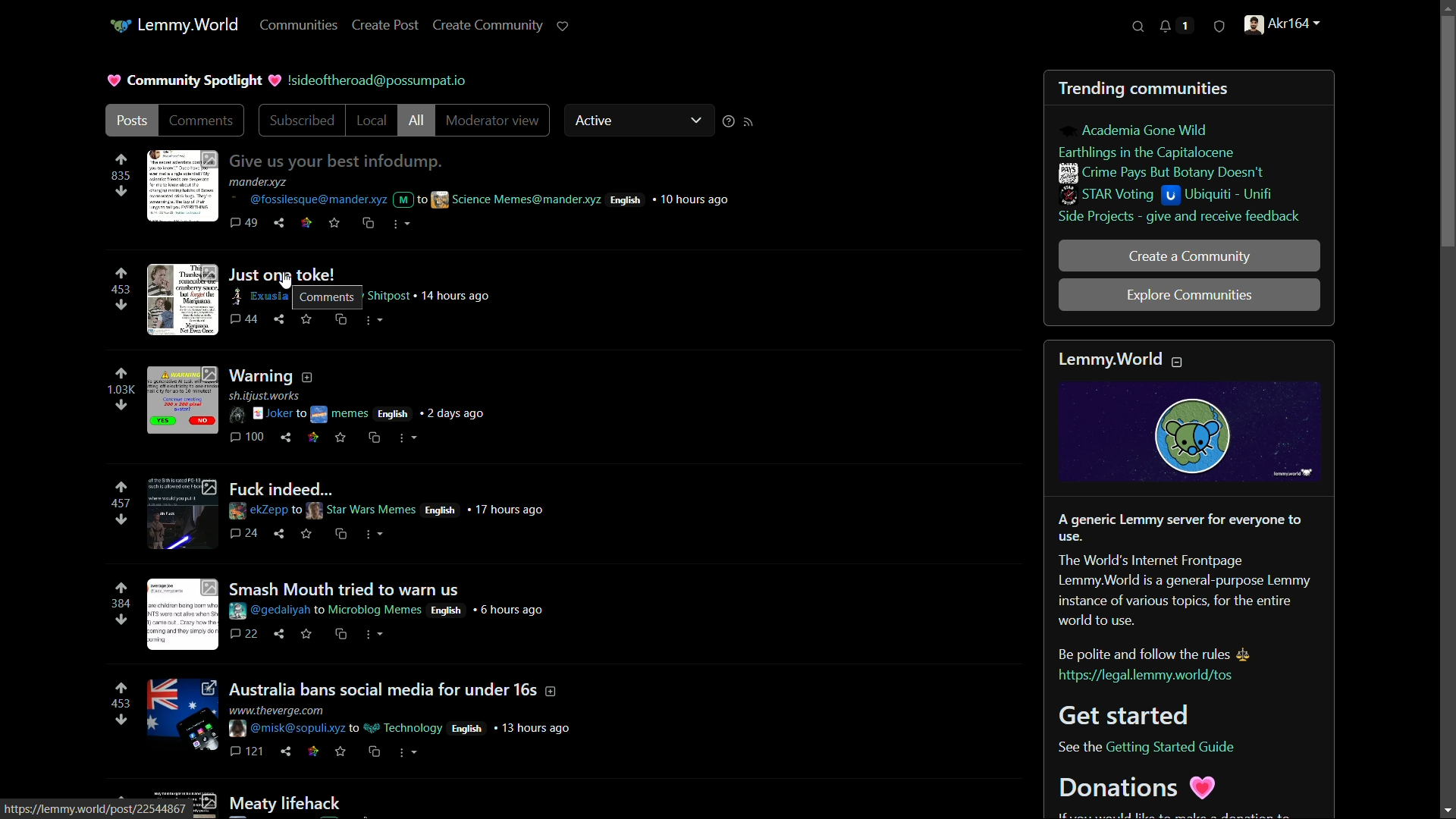 Image resolution: width=1456 pixels, height=819 pixels. I want to click on explore communities, so click(1194, 296).